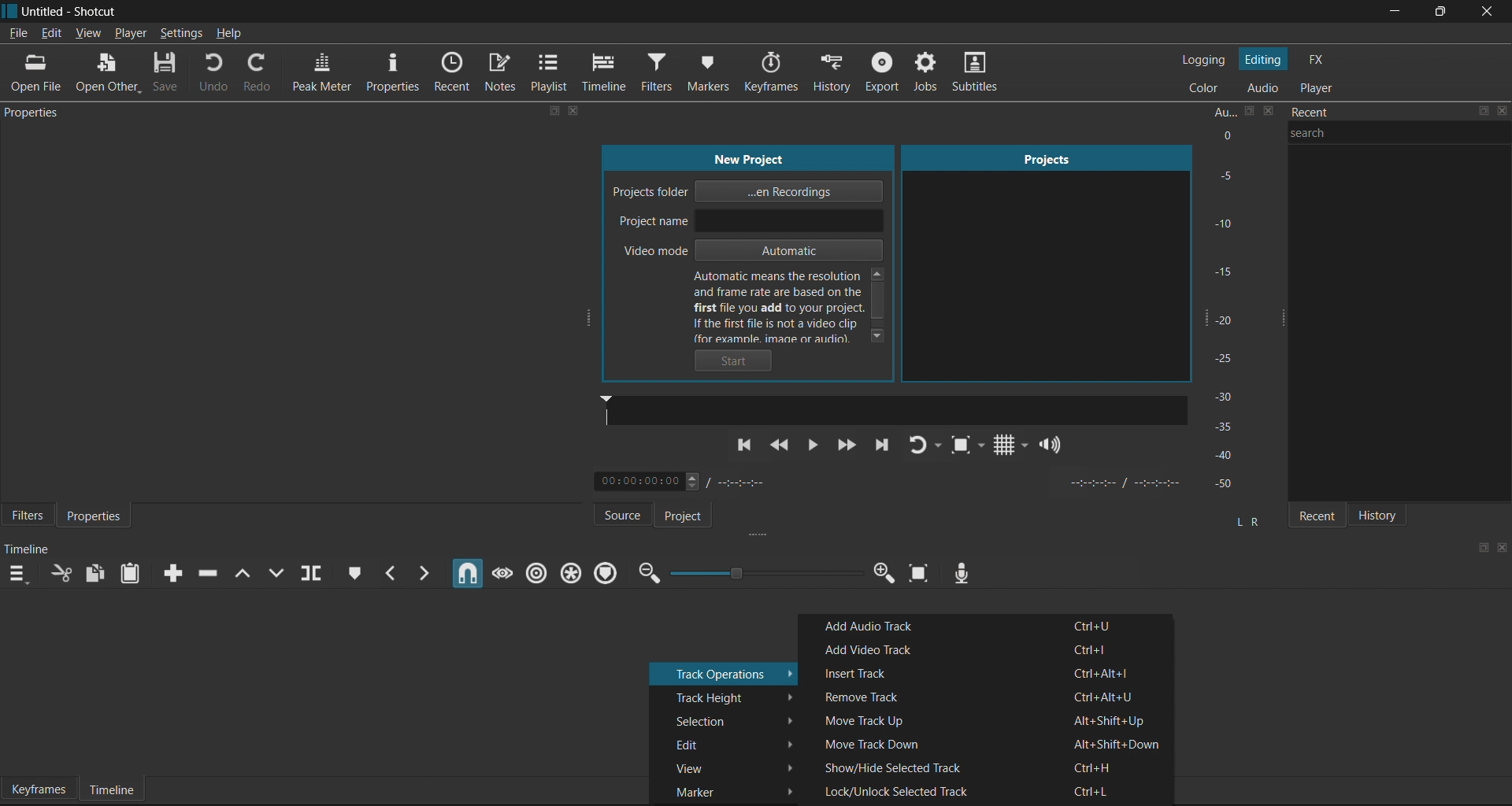 The image size is (1512, 806). I want to click on Marker, so click(724, 790).